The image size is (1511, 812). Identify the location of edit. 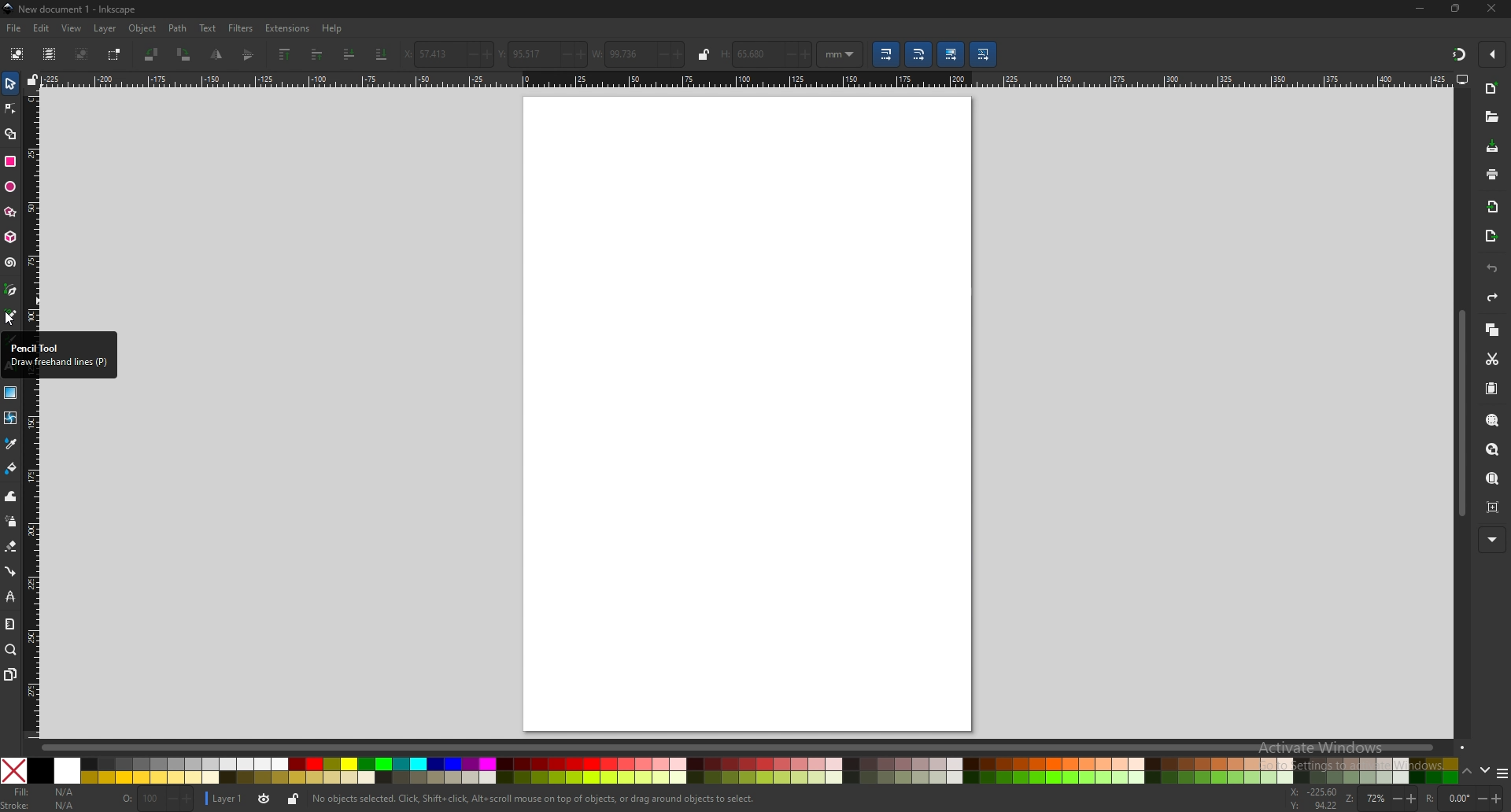
(42, 28).